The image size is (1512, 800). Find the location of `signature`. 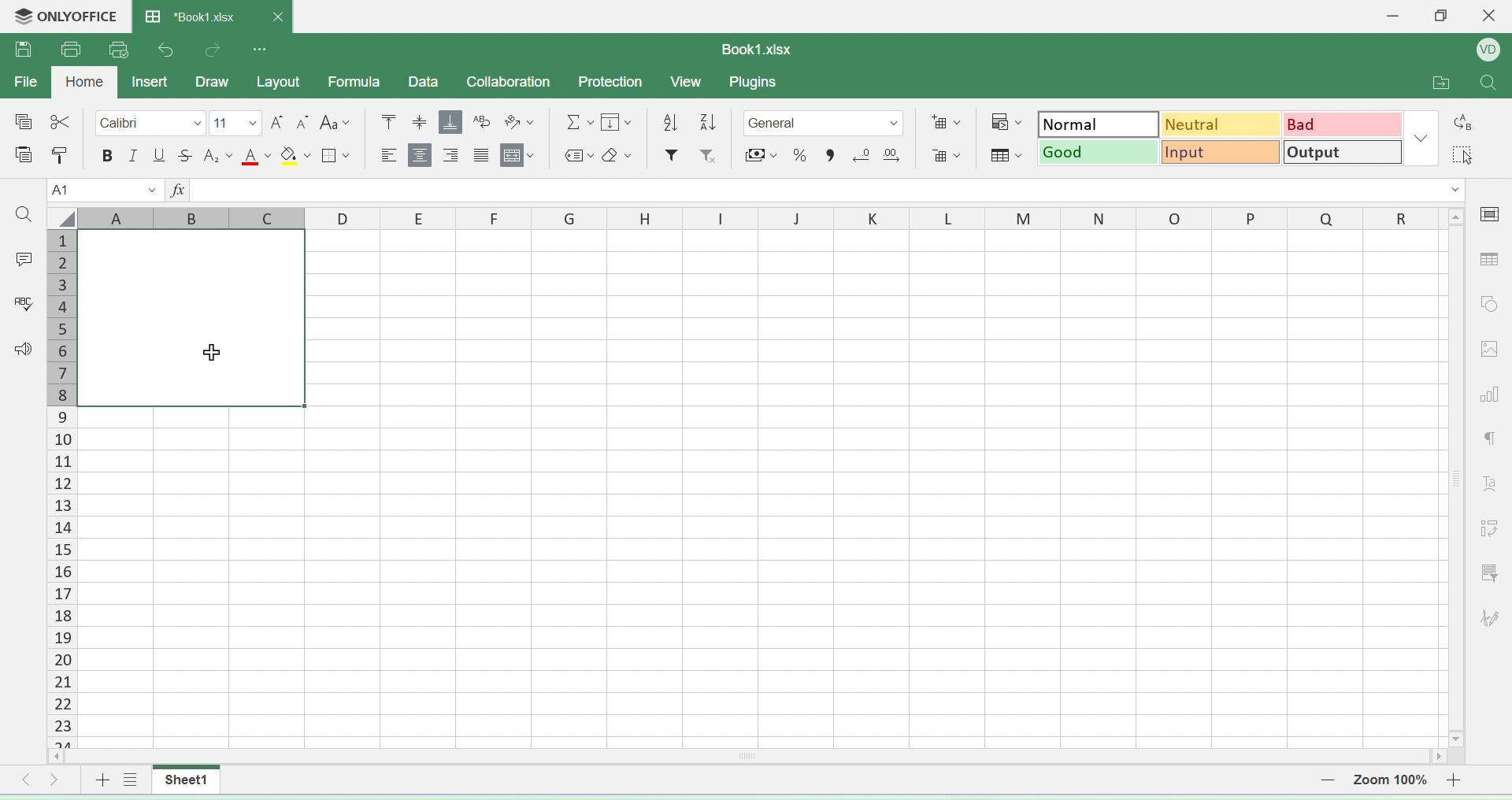

signature is located at coordinates (1492, 621).